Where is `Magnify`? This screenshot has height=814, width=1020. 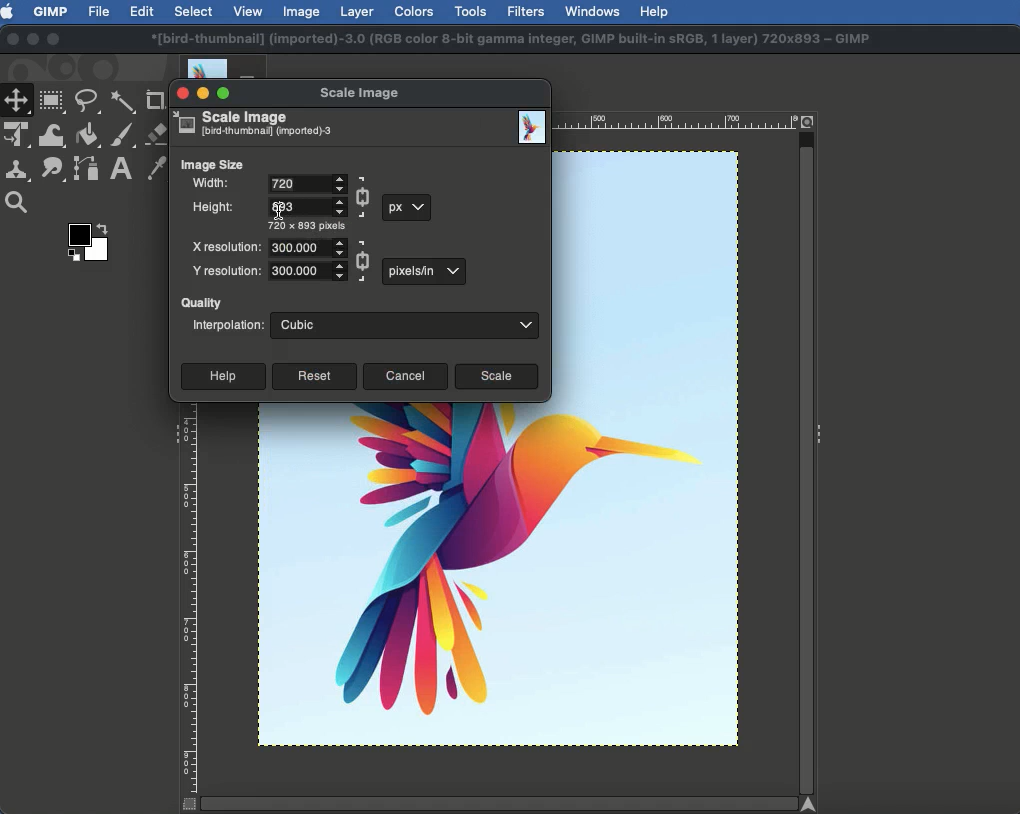 Magnify is located at coordinates (19, 202).